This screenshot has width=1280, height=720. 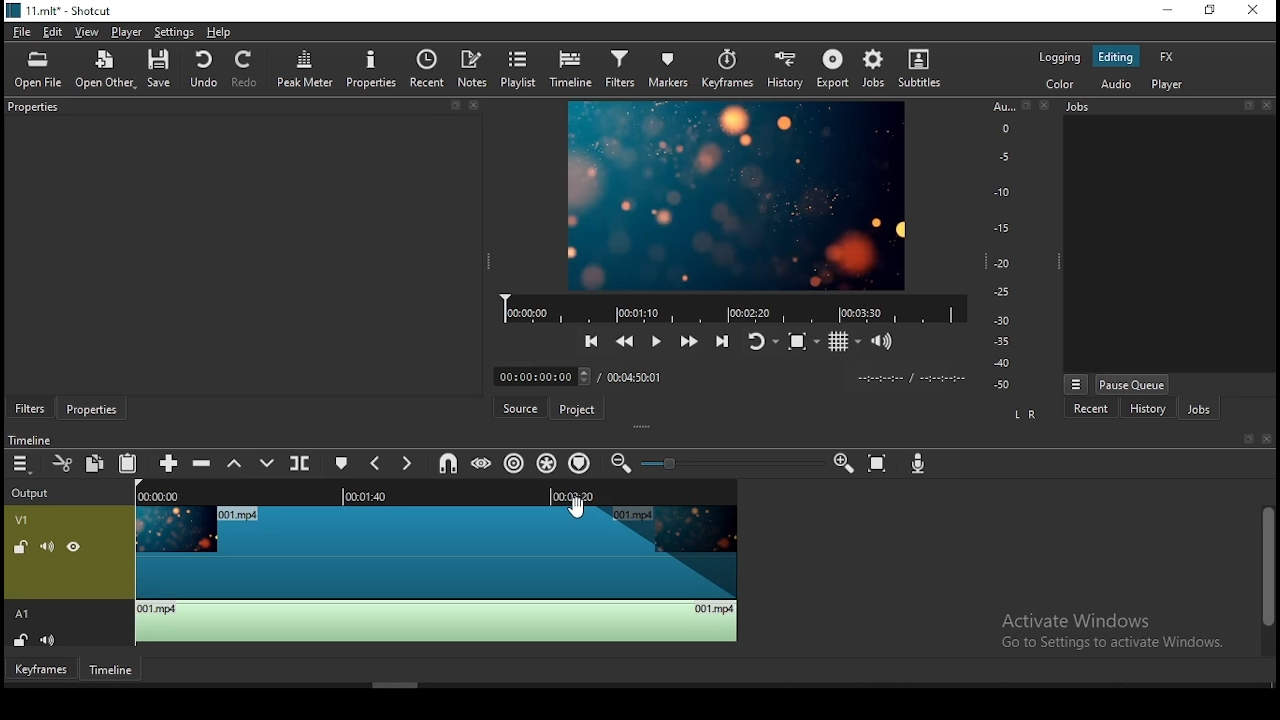 What do you see at coordinates (33, 439) in the screenshot?
I see `Timeline` at bounding box center [33, 439].